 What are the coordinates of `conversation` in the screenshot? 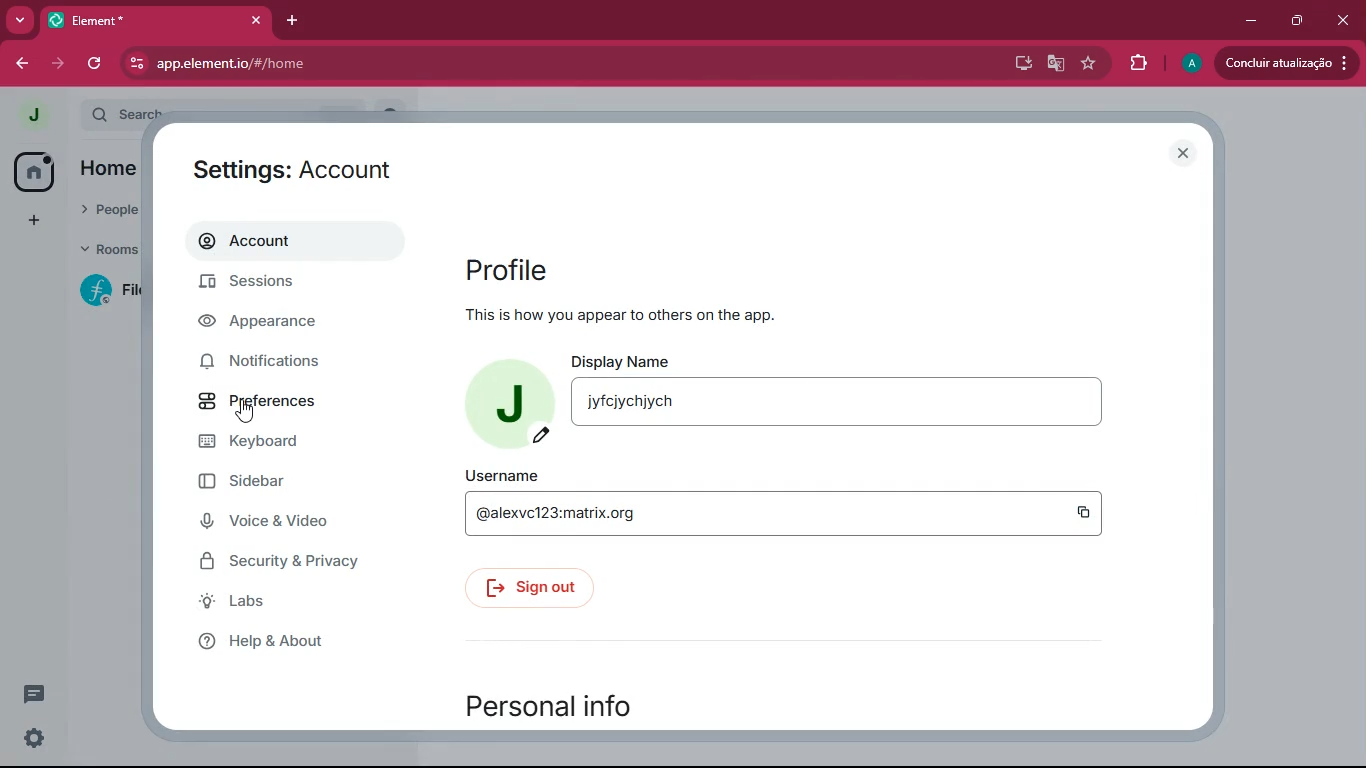 It's located at (34, 693).